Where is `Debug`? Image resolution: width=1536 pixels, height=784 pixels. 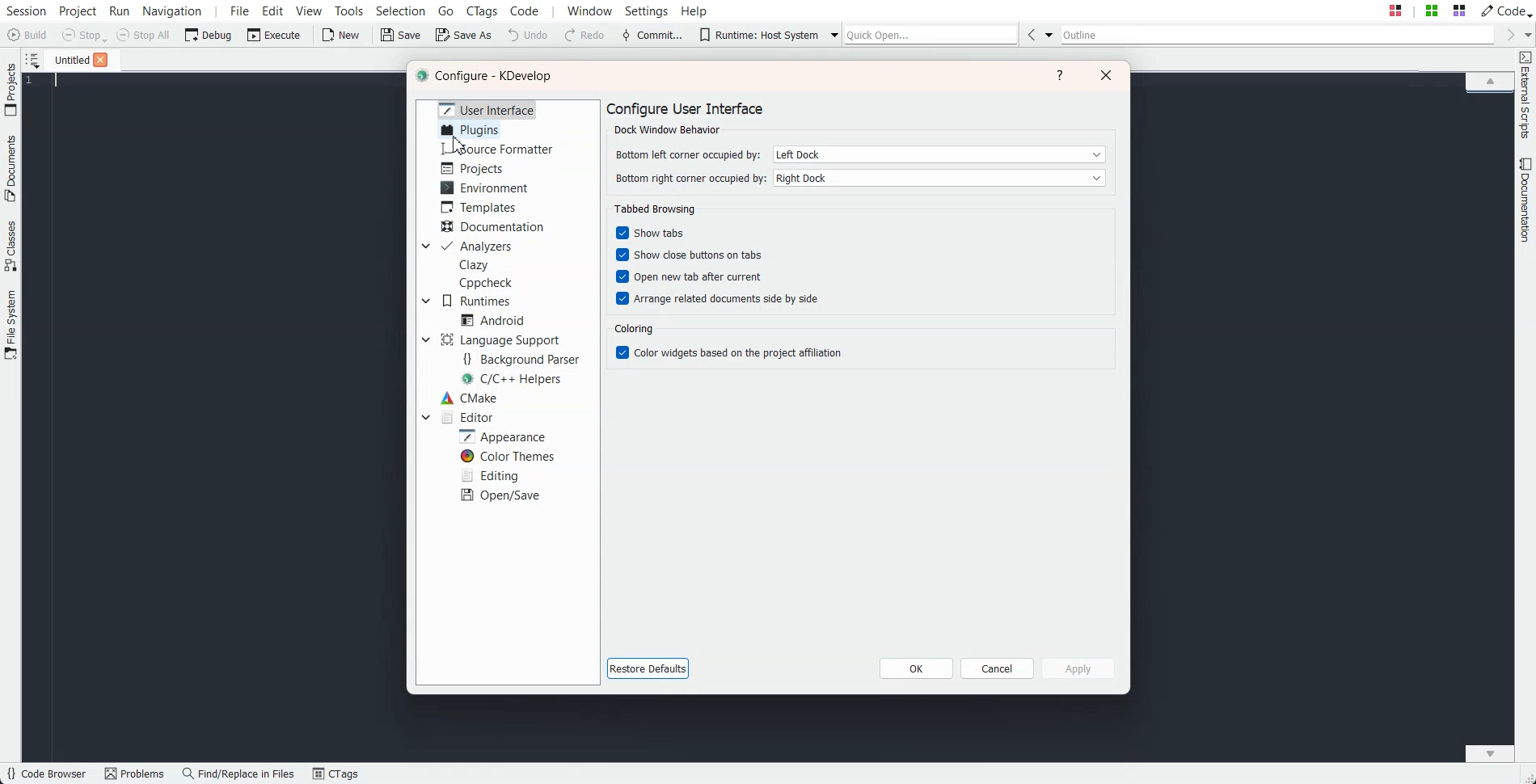 Debug is located at coordinates (209, 34).